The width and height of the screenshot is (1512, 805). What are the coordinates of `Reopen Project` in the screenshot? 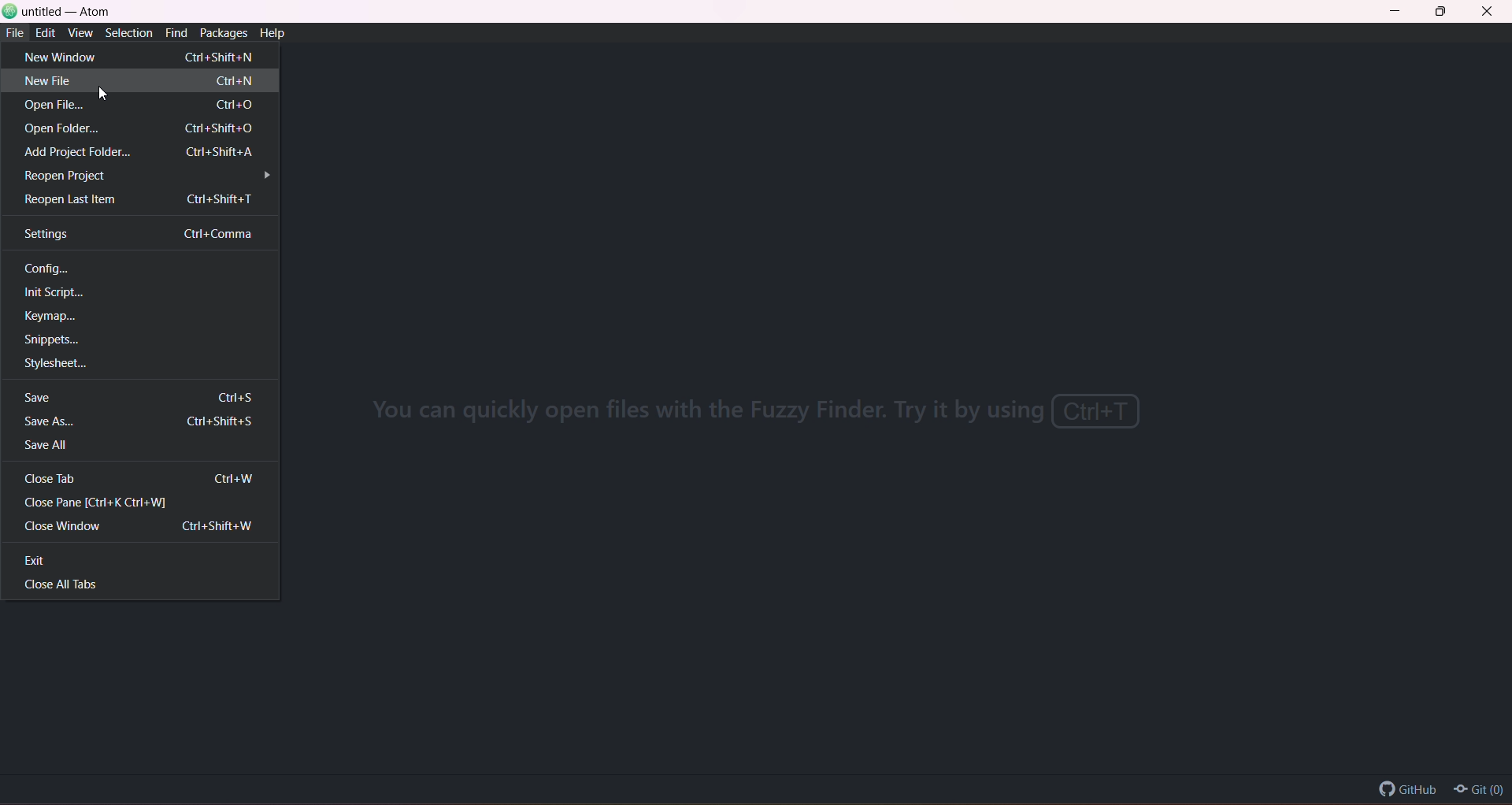 It's located at (152, 176).